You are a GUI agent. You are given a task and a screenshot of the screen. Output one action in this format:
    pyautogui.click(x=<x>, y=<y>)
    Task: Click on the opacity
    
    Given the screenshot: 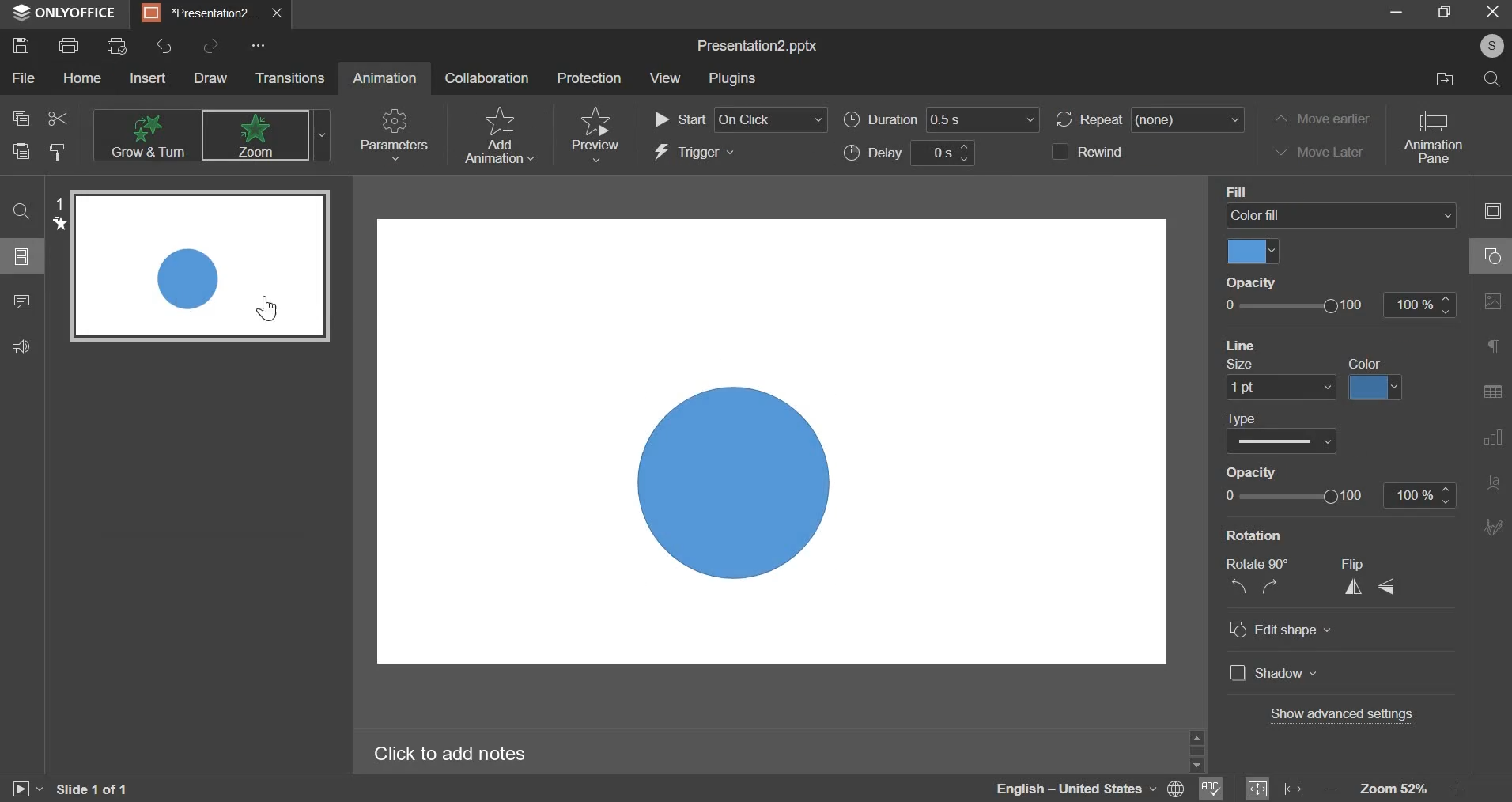 What is the action you would take?
    pyautogui.click(x=1341, y=305)
    